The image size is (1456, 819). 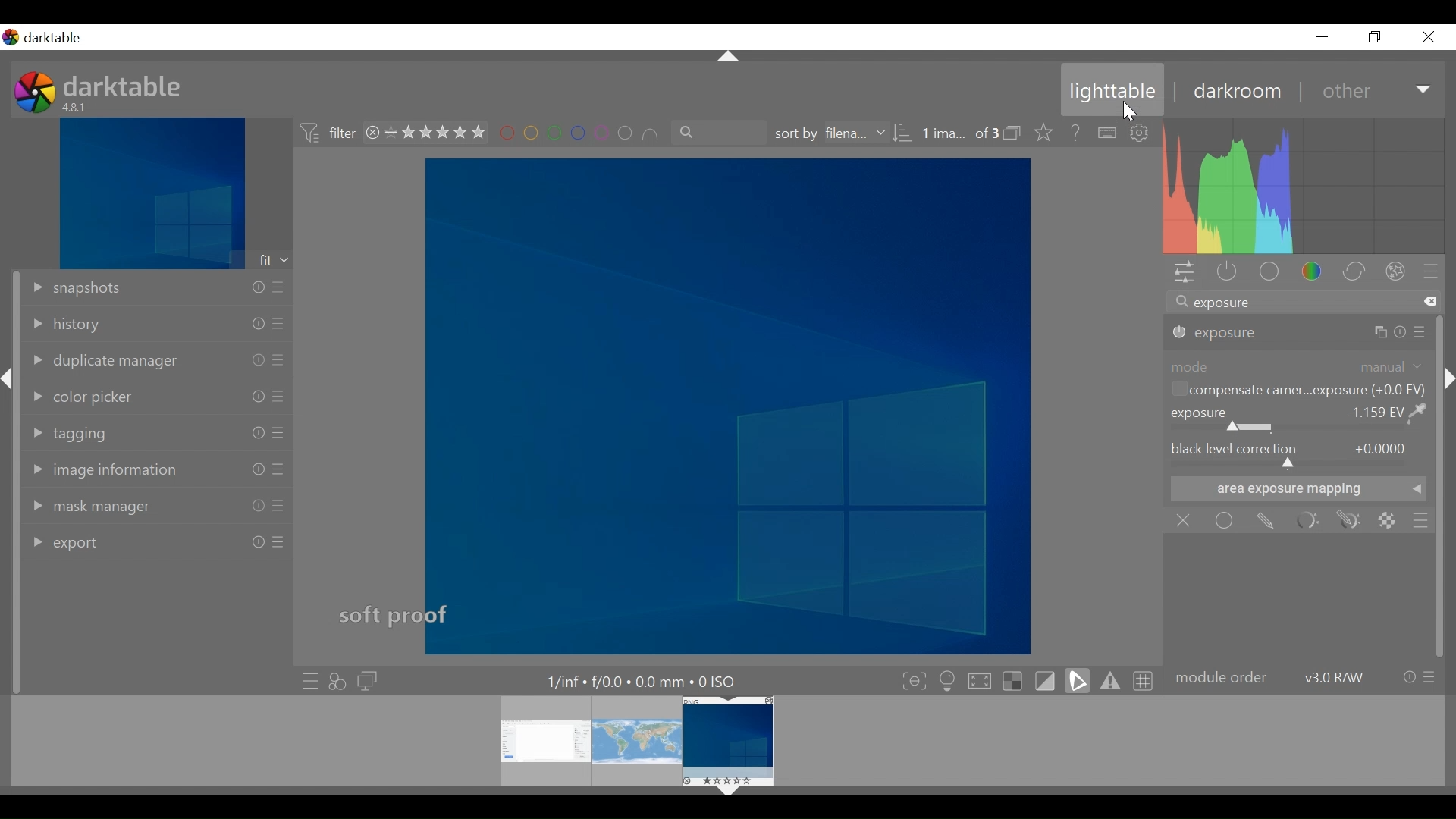 What do you see at coordinates (74, 289) in the screenshot?
I see `snapshot` at bounding box center [74, 289].